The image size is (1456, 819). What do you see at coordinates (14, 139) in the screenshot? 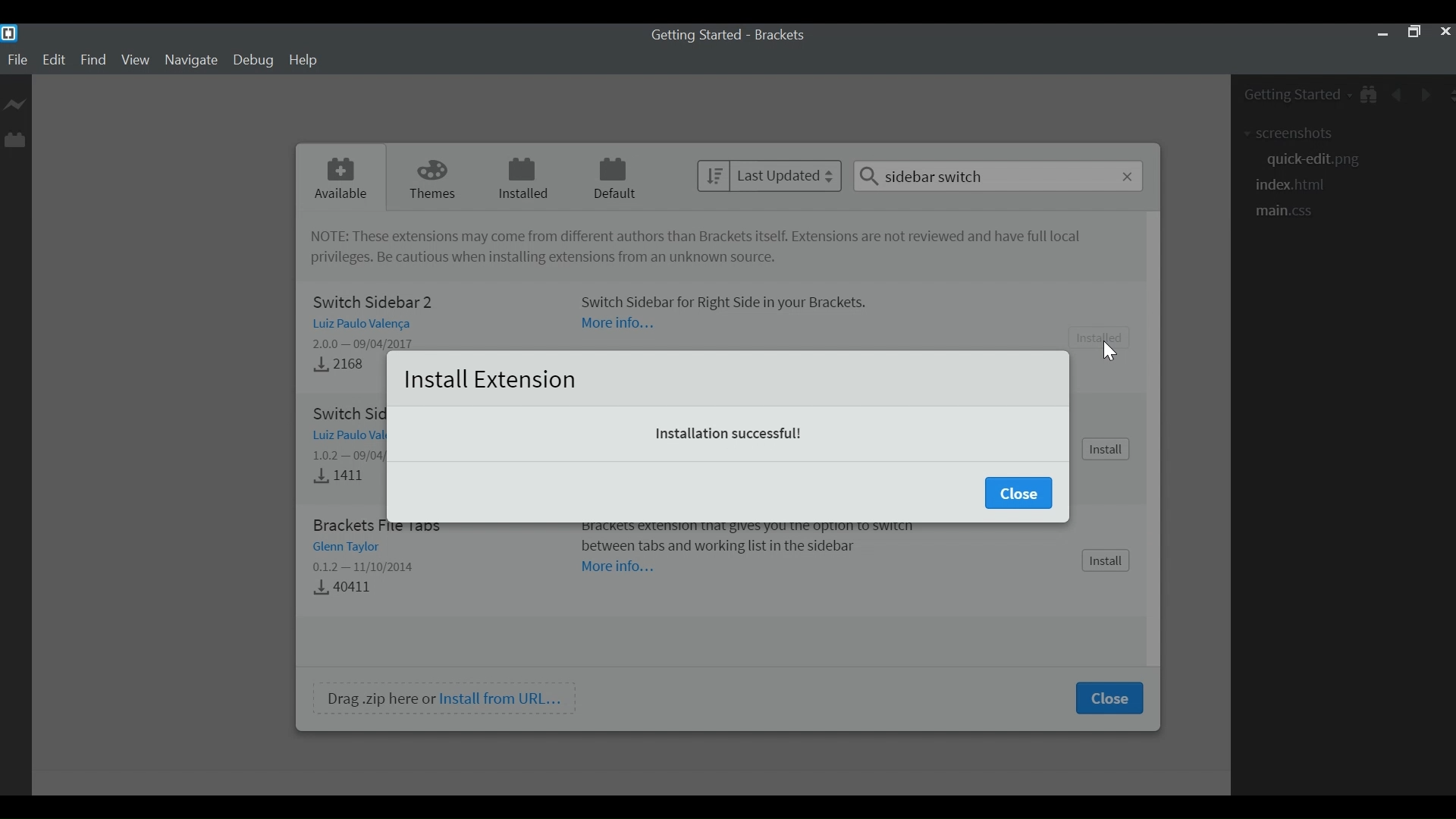
I see `Manager Extension` at bounding box center [14, 139].